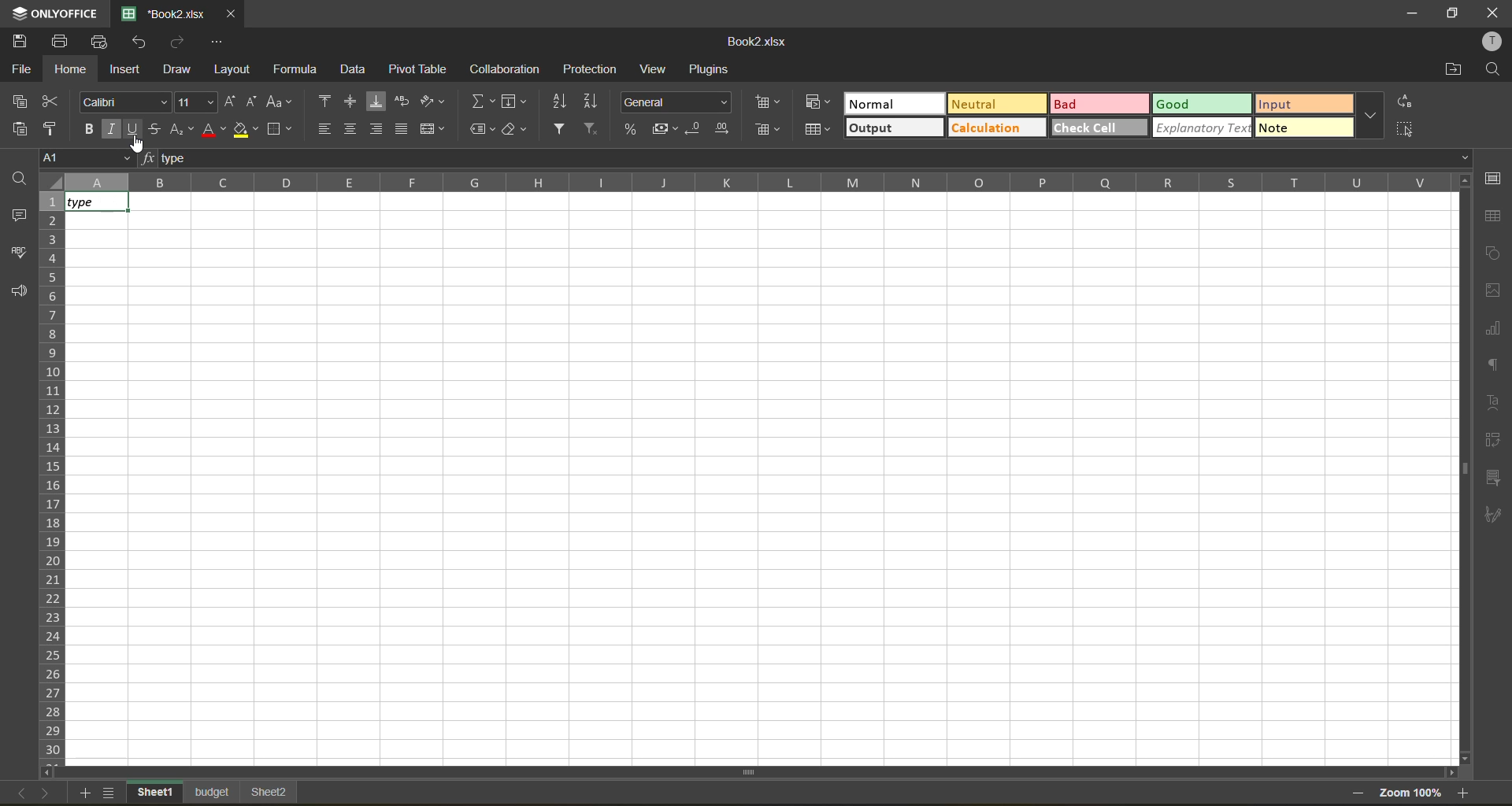  I want to click on paste, so click(24, 128).